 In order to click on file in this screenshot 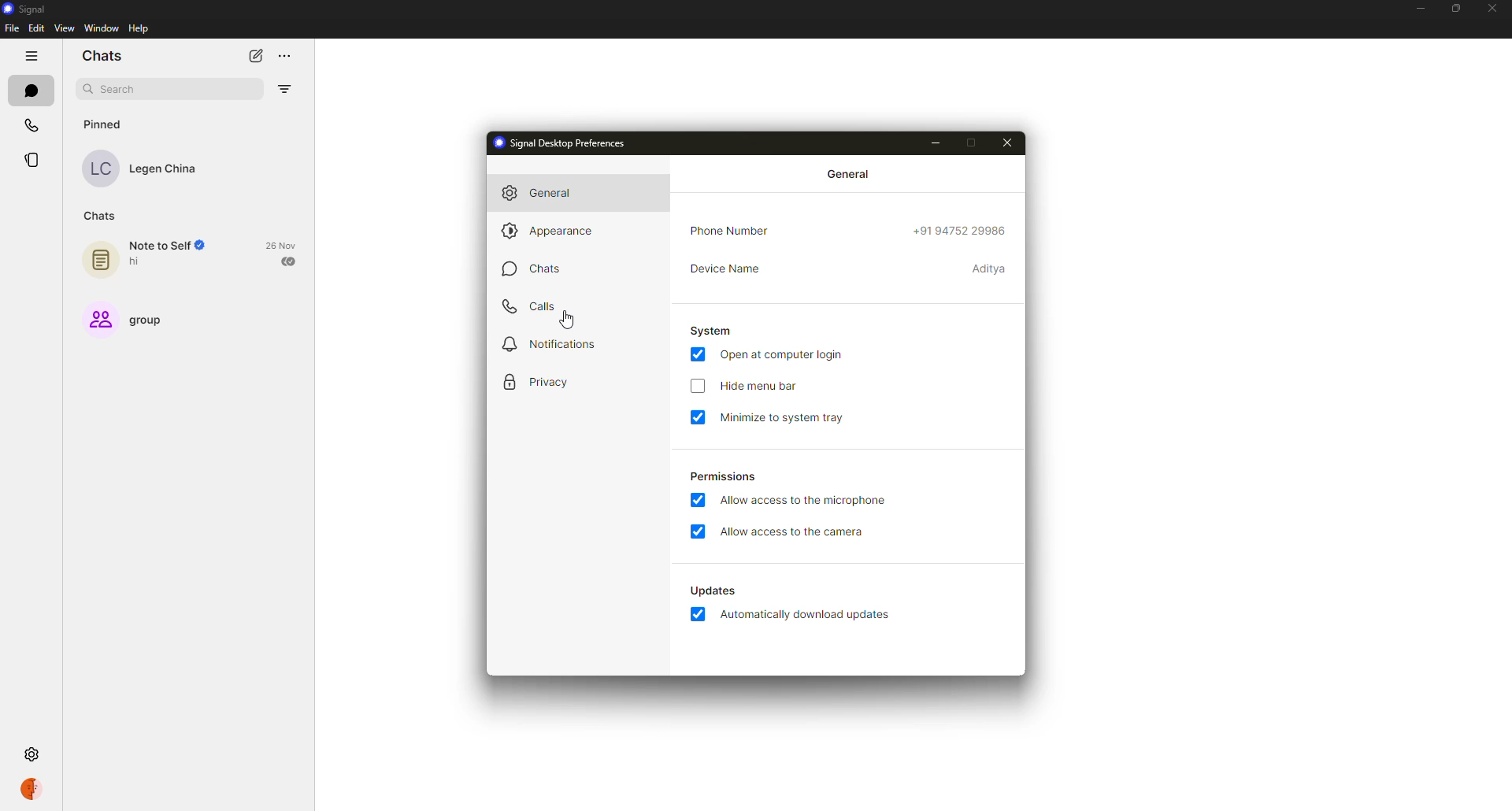, I will do `click(11, 28)`.